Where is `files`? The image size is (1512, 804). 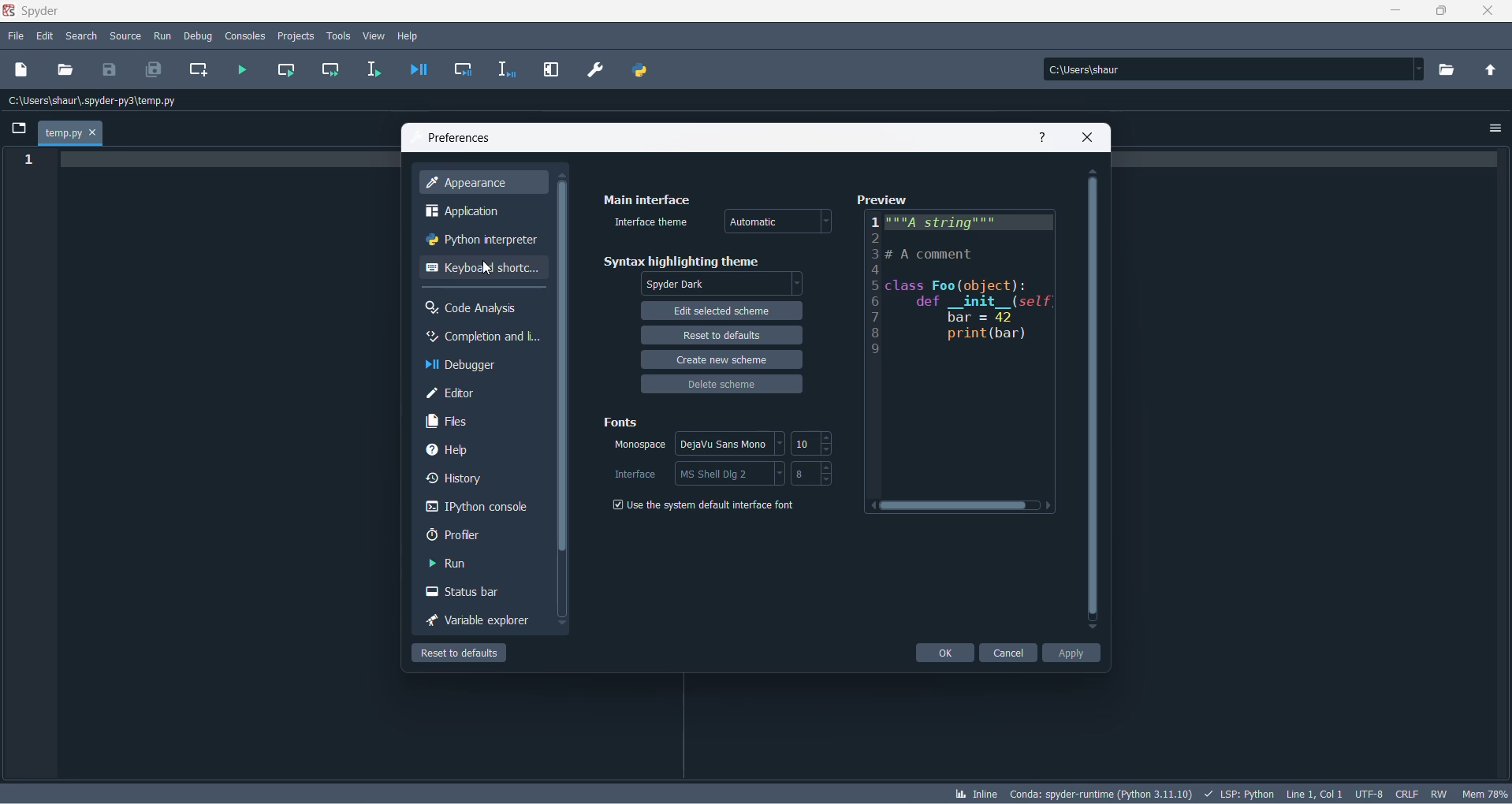
files is located at coordinates (484, 422).